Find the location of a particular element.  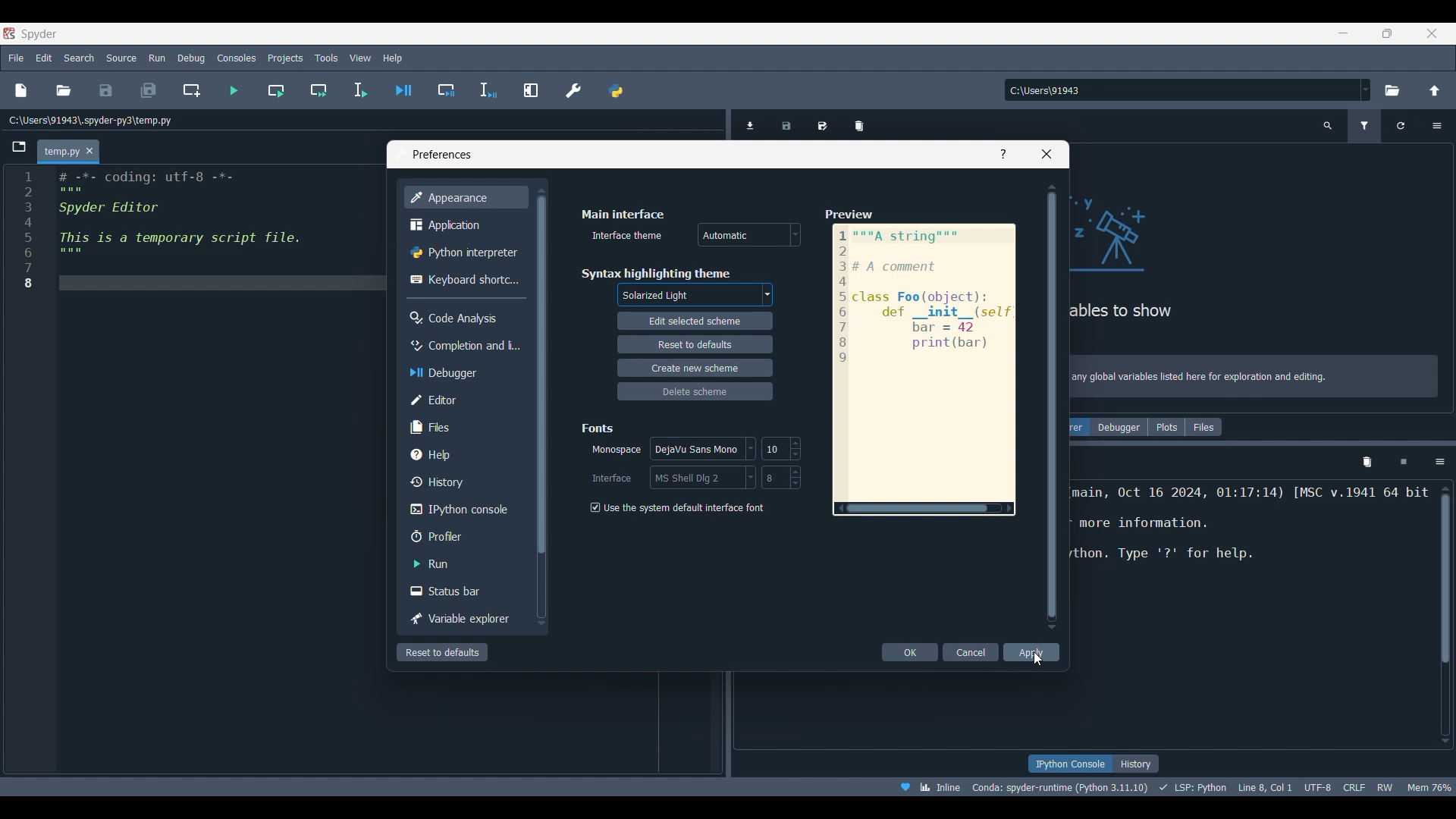

File path is located at coordinates (91, 120).